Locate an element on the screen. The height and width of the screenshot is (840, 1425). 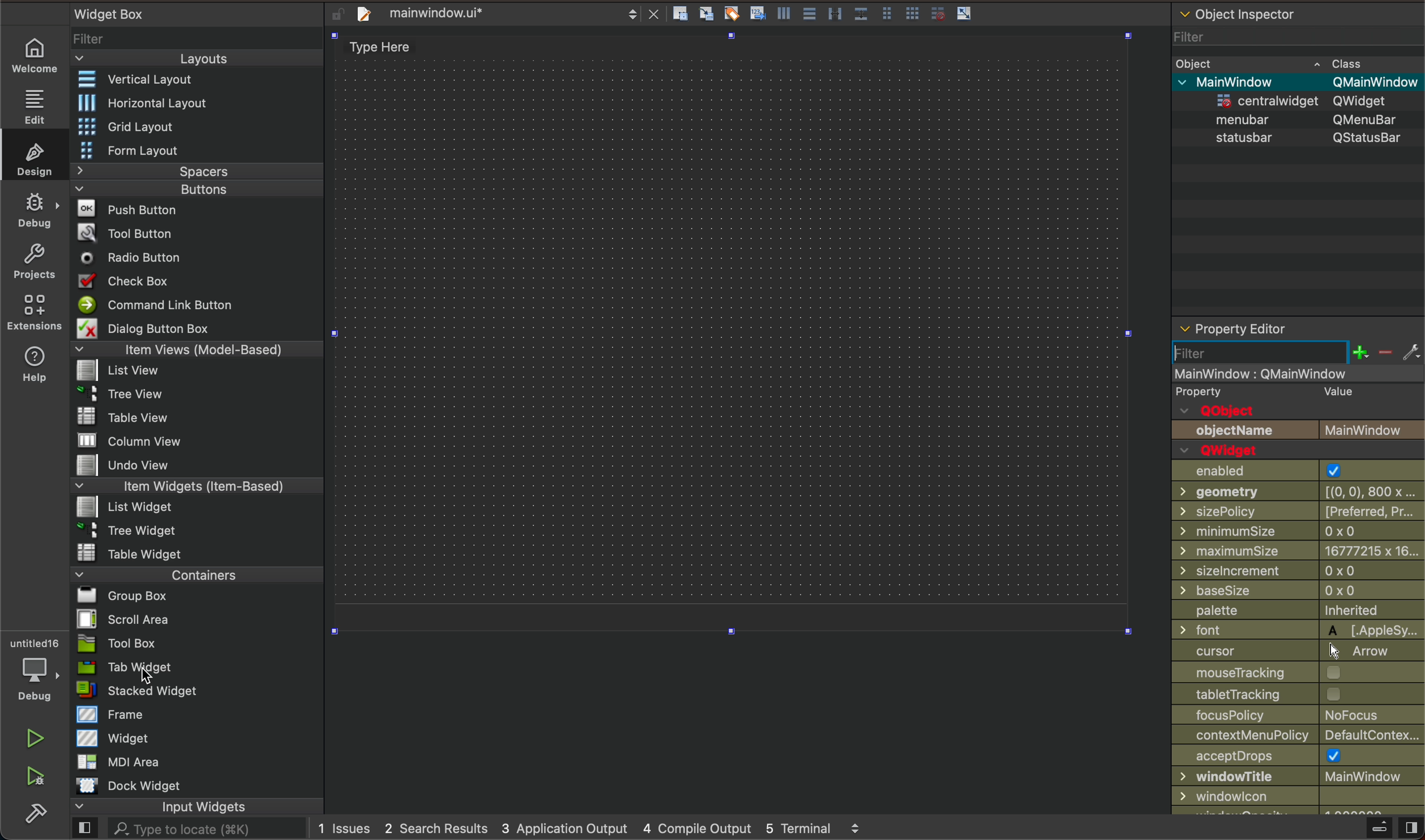
context policy is located at coordinates (1298, 735).